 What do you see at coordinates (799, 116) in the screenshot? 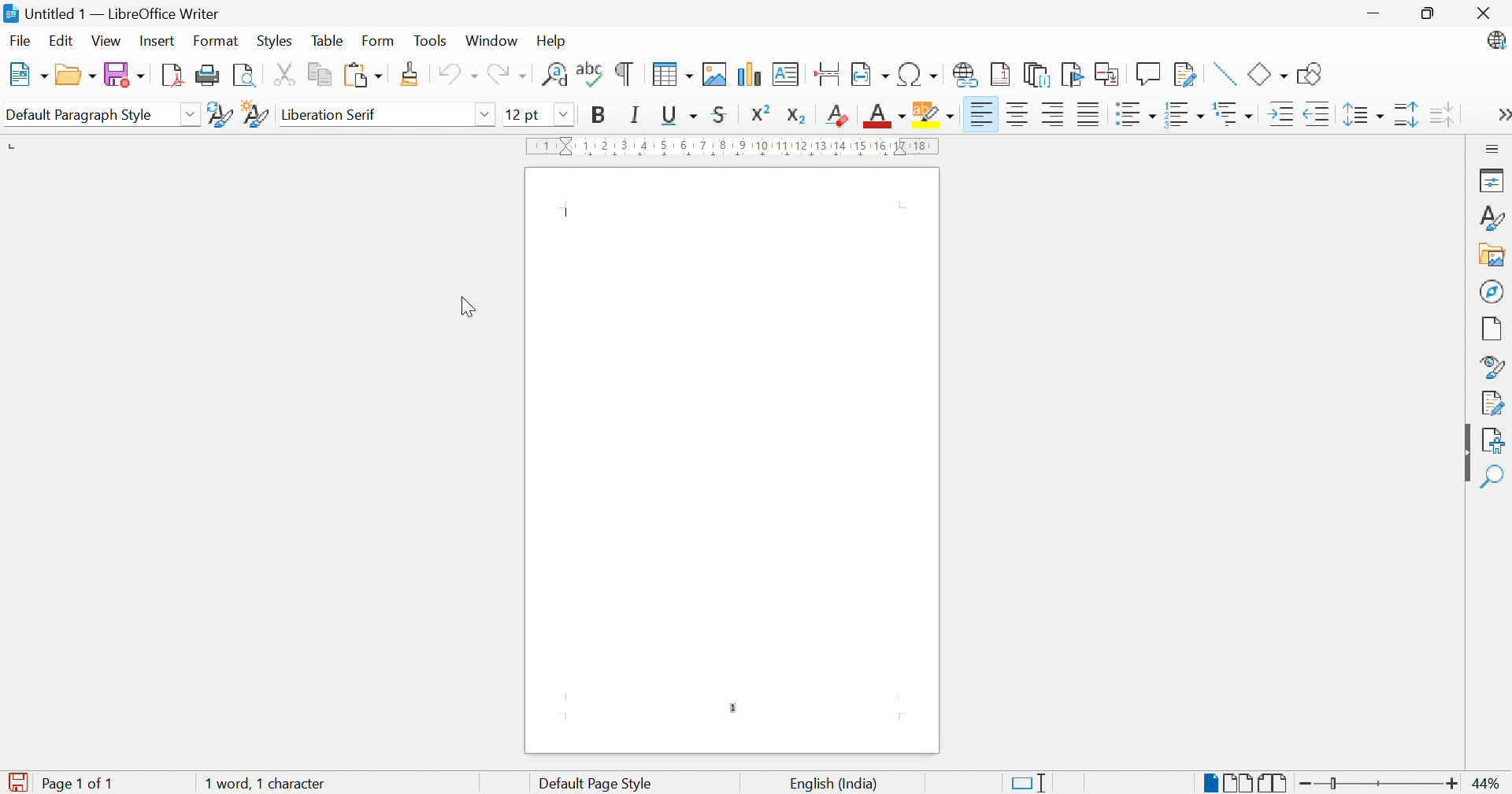
I see `Subscript` at bounding box center [799, 116].